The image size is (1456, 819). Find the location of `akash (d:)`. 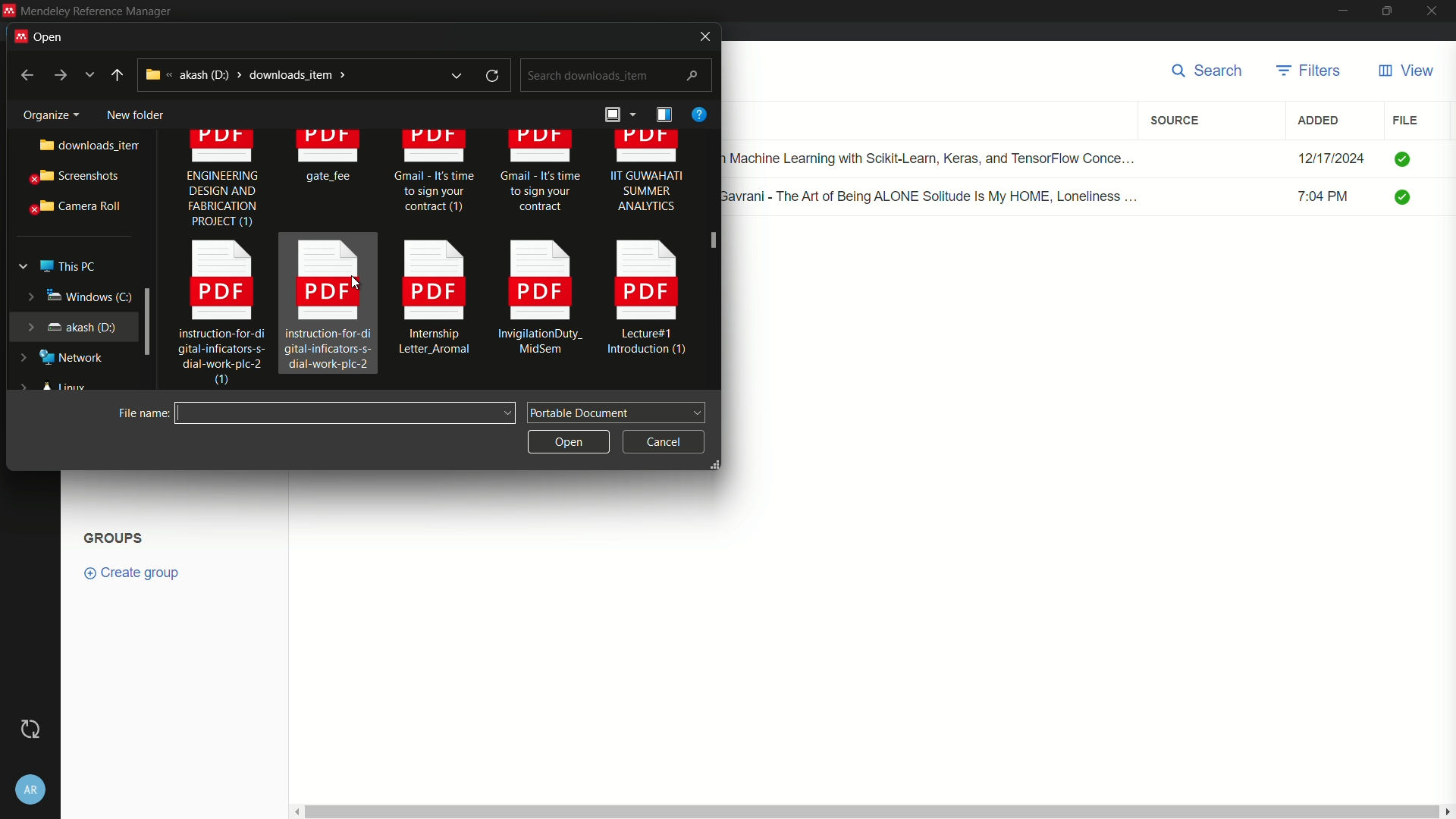

akash (d:) is located at coordinates (71, 325).